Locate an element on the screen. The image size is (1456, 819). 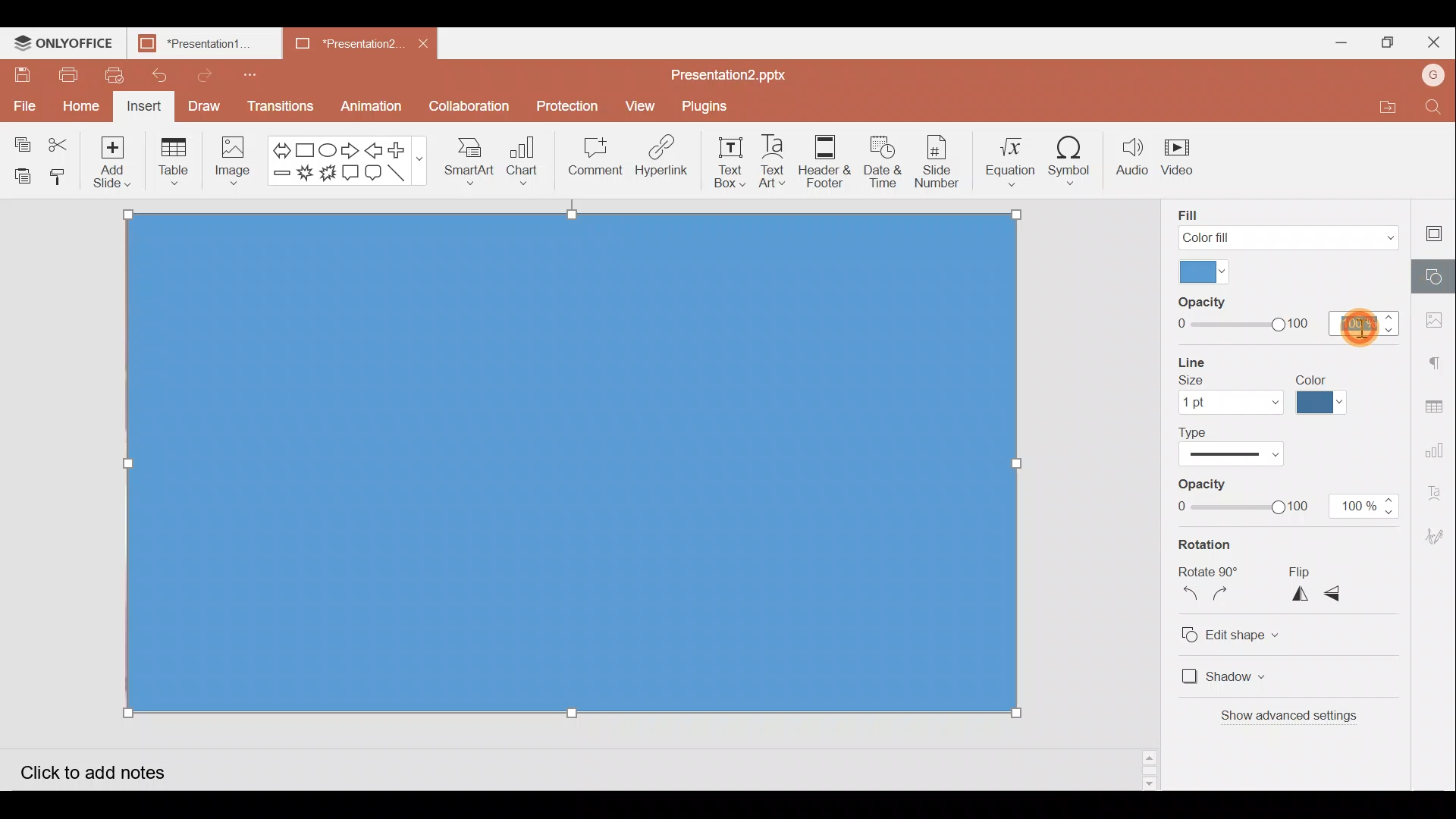
Print file is located at coordinates (70, 74).